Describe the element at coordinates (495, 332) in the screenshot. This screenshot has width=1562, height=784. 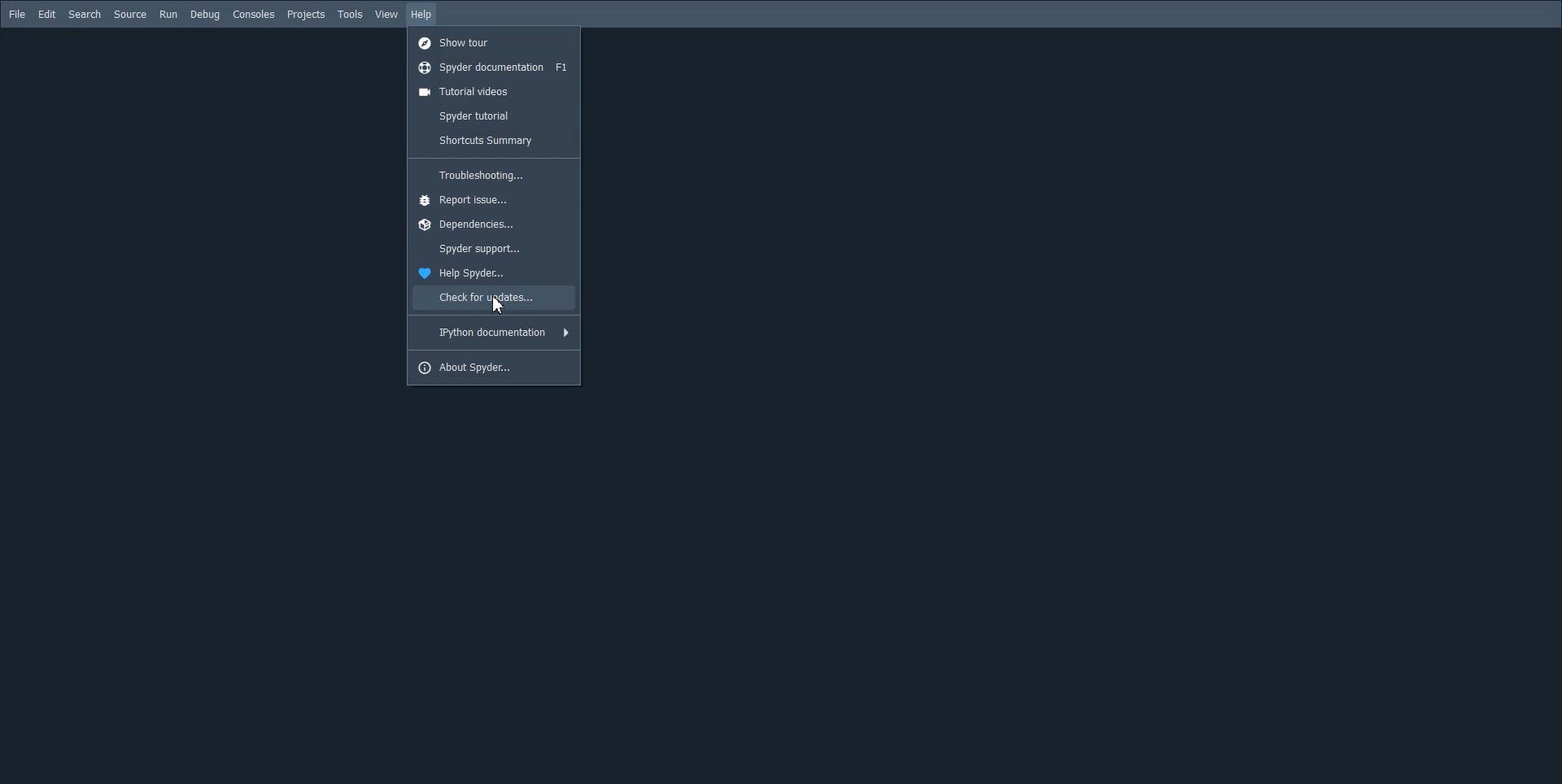
I see `IPython documentation` at that location.